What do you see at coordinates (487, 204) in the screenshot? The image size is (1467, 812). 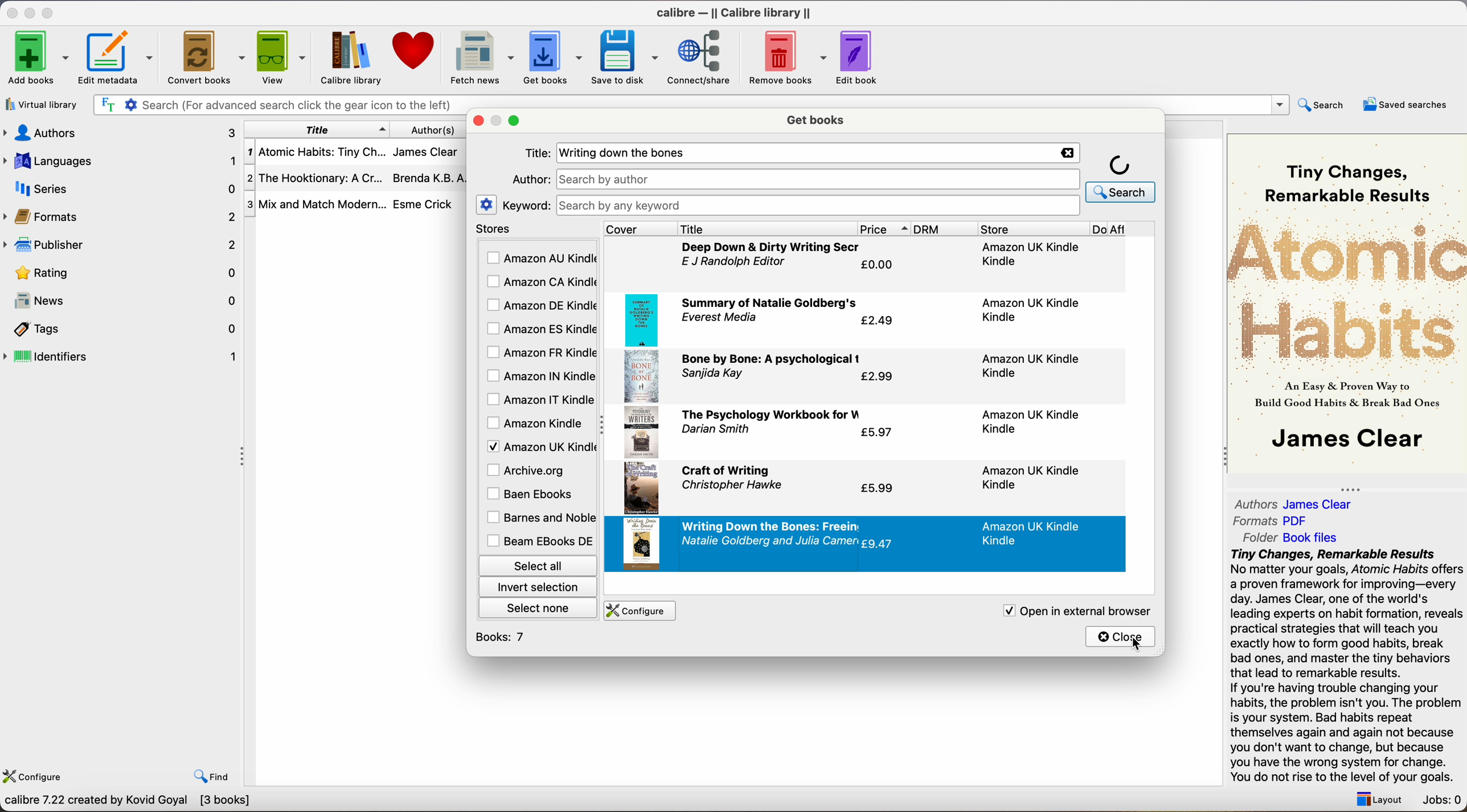 I see `settings` at bounding box center [487, 204].